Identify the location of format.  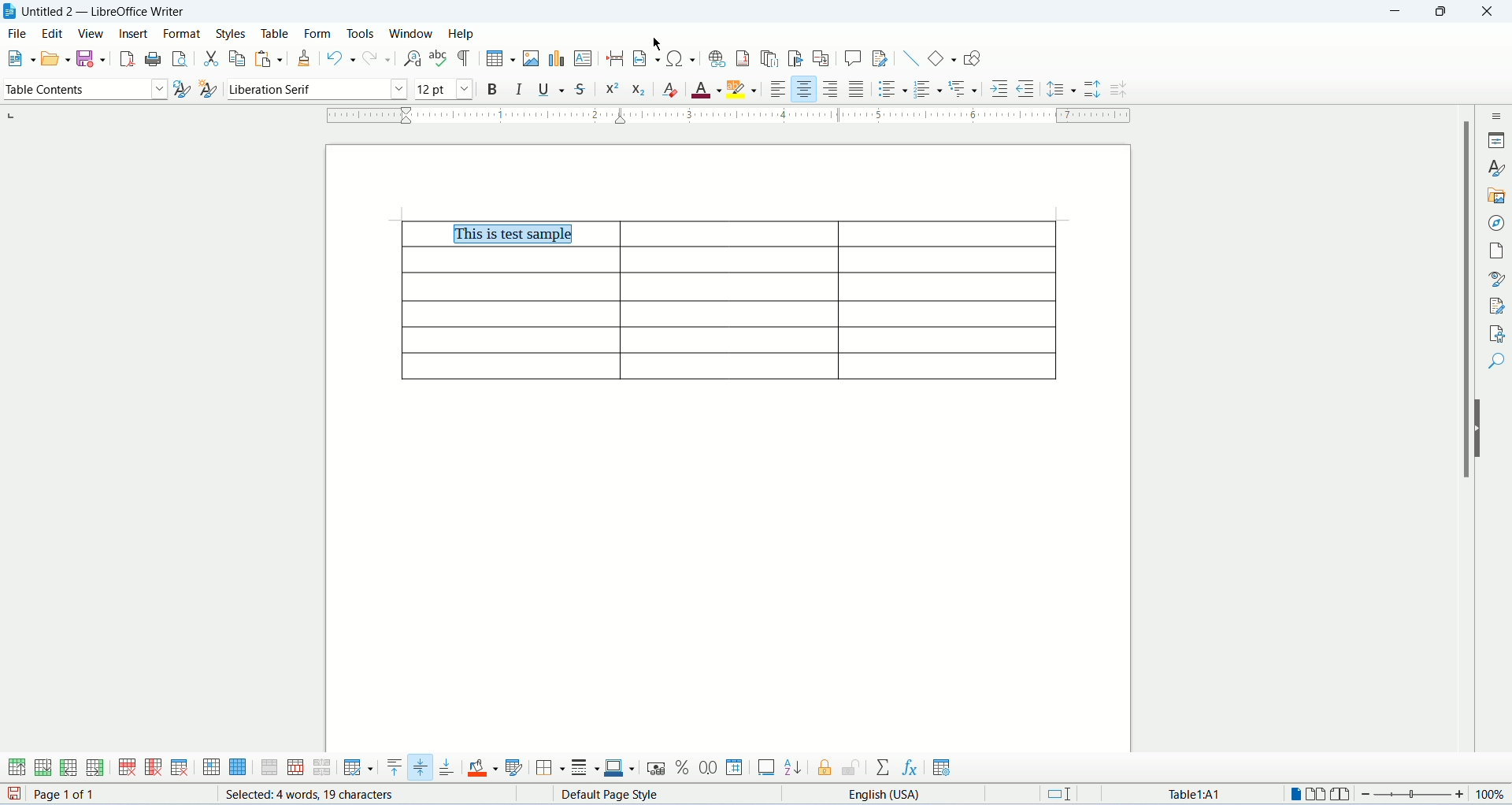
(184, 33).